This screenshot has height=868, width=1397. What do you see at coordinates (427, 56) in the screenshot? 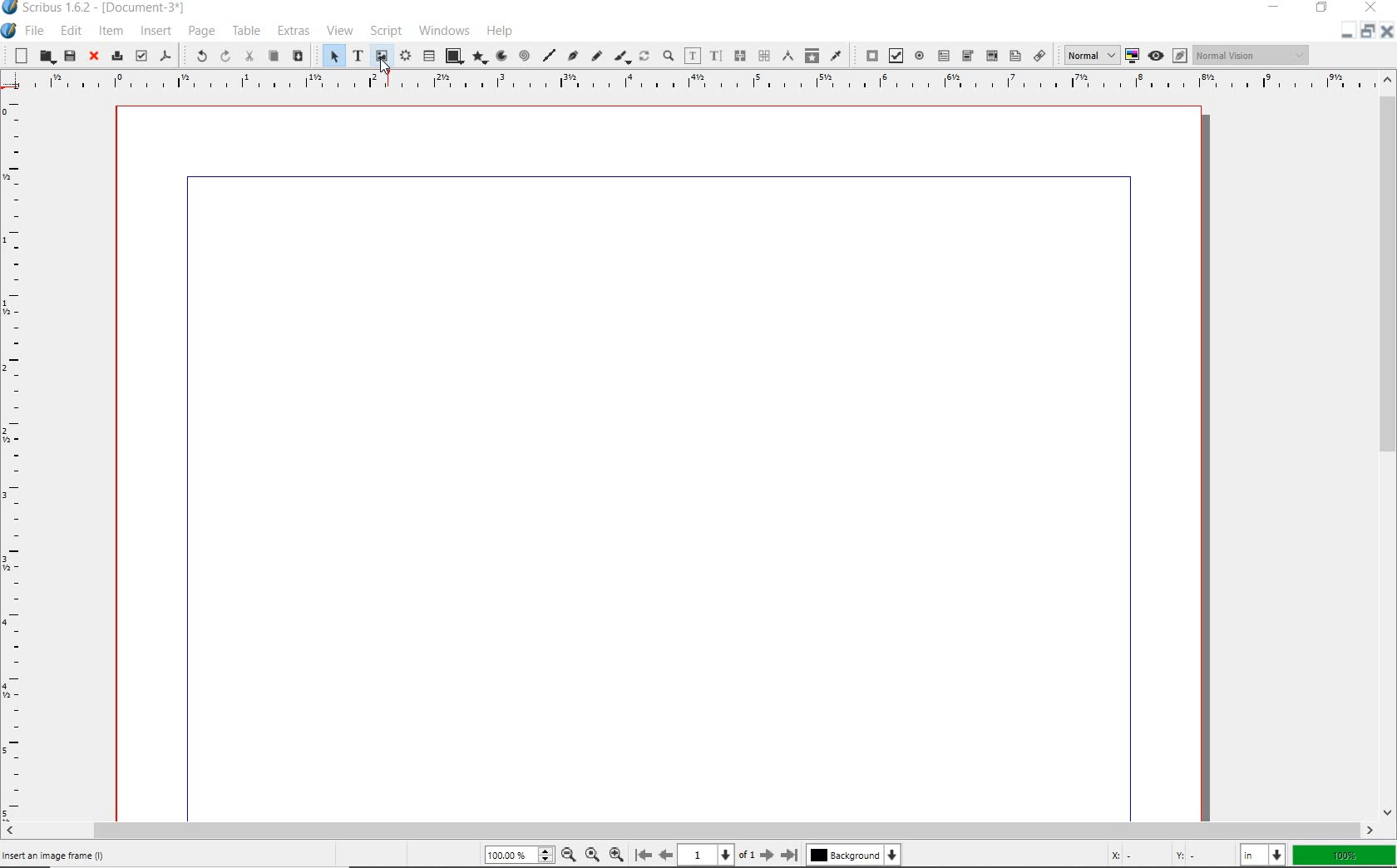
I see `table` at bounding box center [427, 56].